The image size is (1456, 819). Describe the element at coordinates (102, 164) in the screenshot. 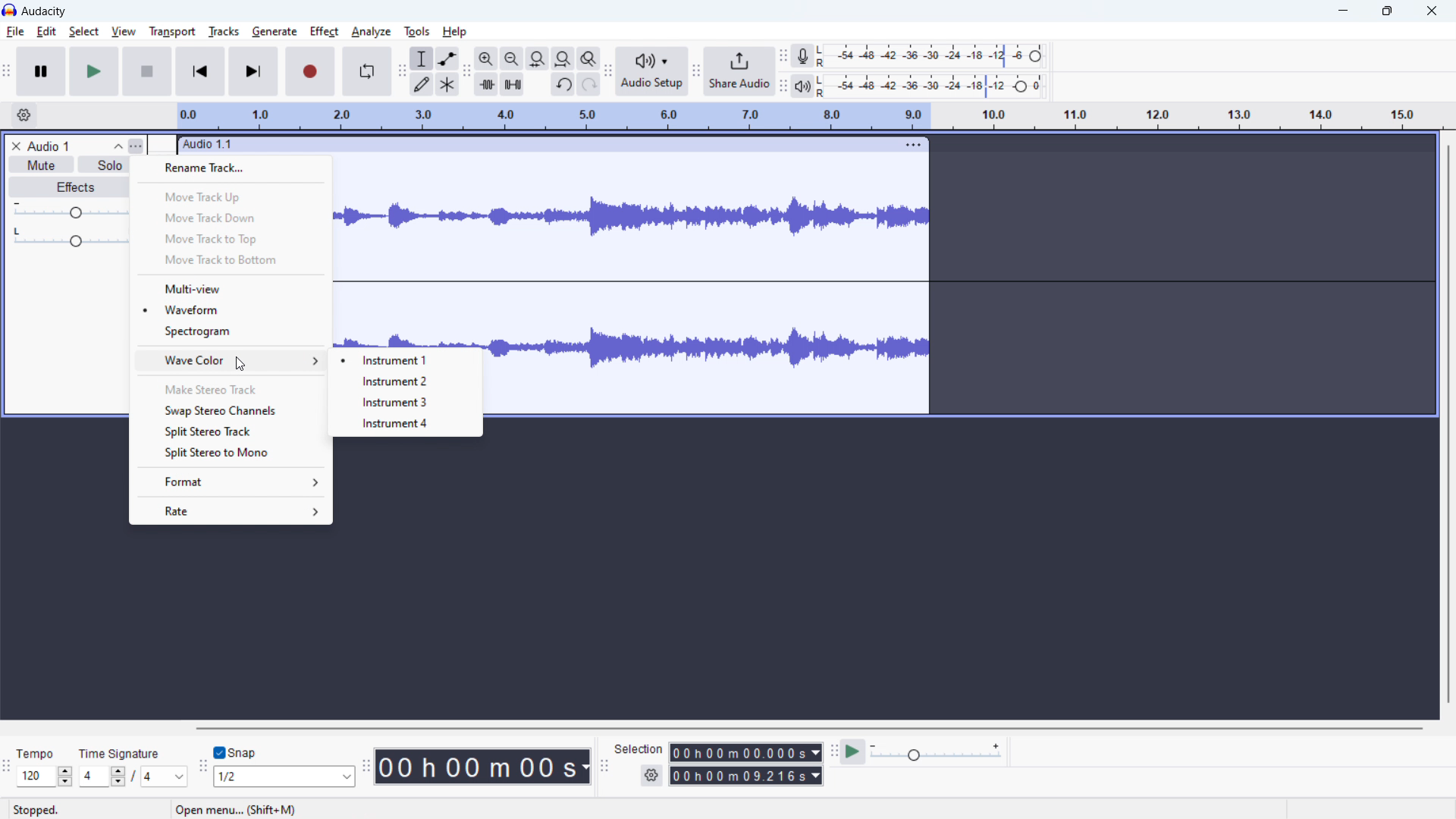

I see `solo` at that location.